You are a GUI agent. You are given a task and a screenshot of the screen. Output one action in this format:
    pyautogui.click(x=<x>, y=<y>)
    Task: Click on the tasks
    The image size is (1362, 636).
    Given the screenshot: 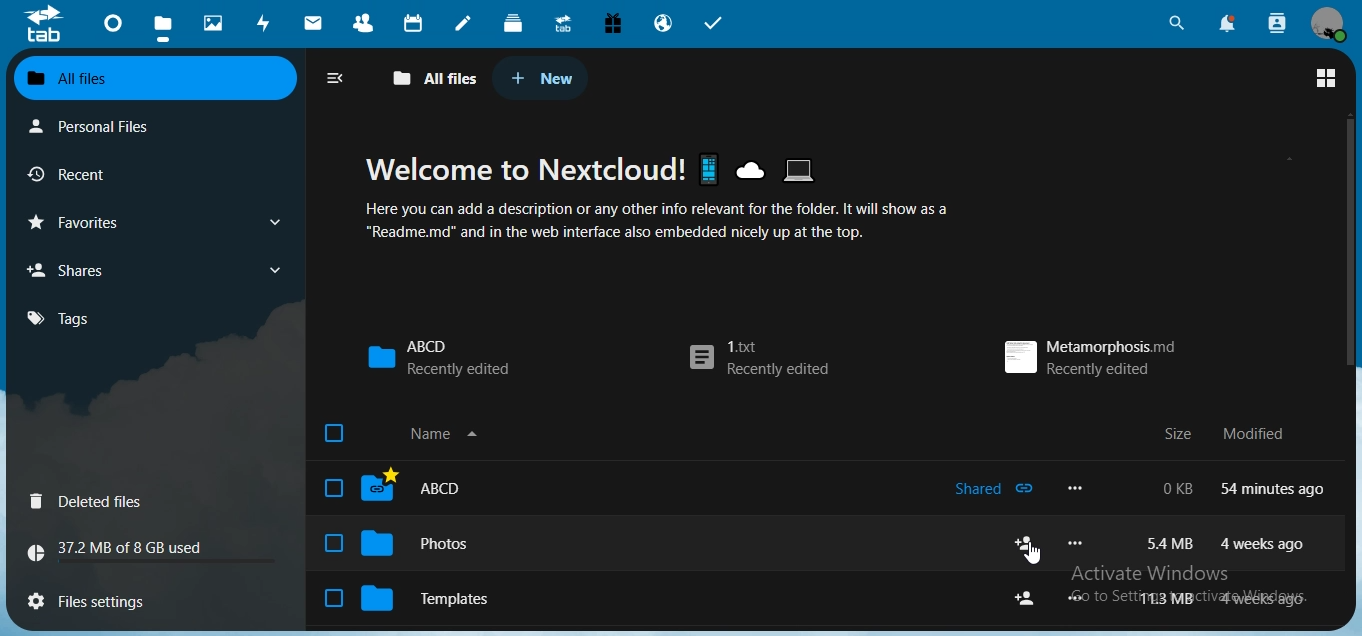 What is the action you would take?
    pyautogui.click(x=715, y=24)
    